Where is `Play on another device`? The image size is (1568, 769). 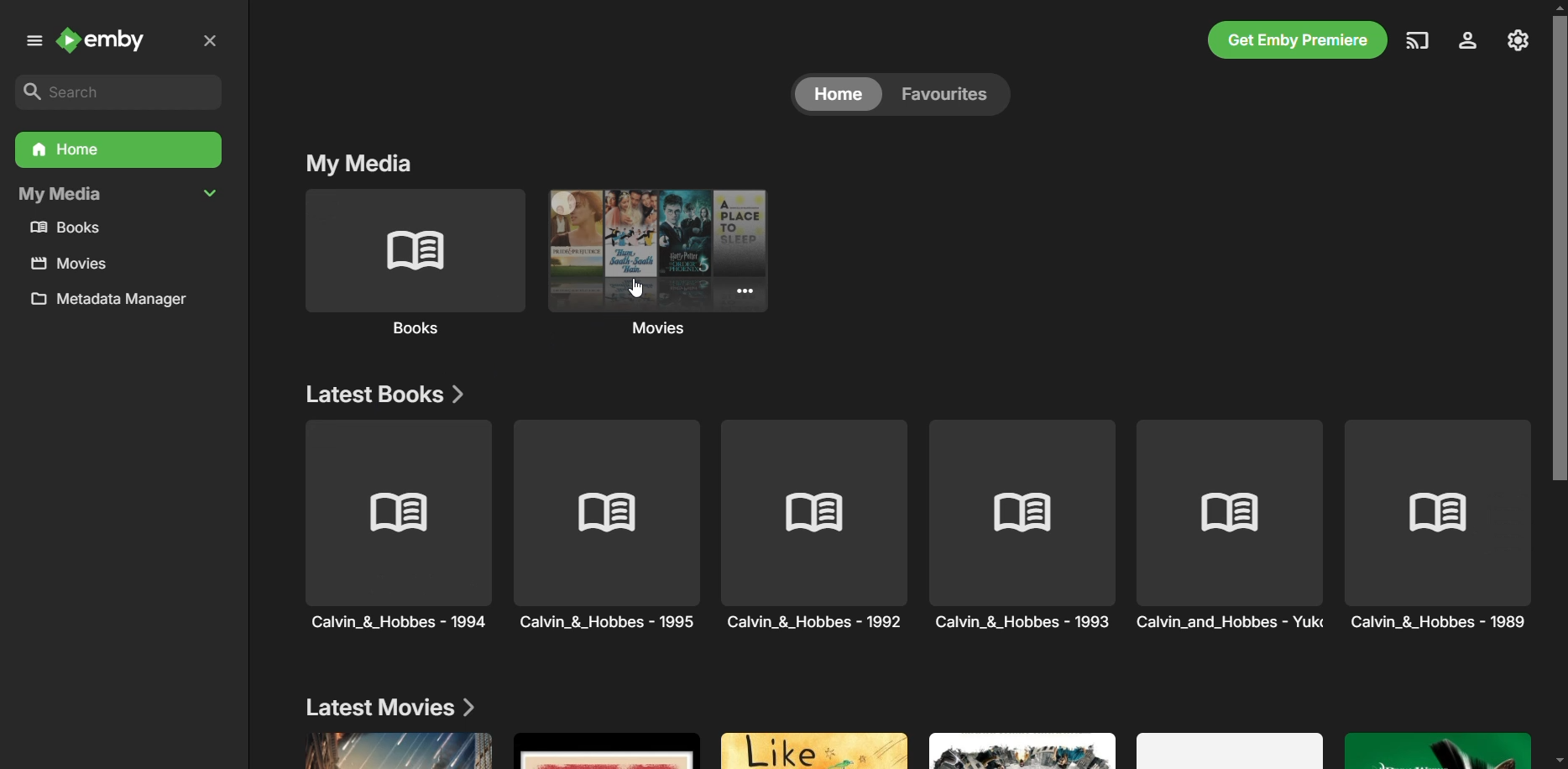 Play on another device is located at coordinates (1418, 40).